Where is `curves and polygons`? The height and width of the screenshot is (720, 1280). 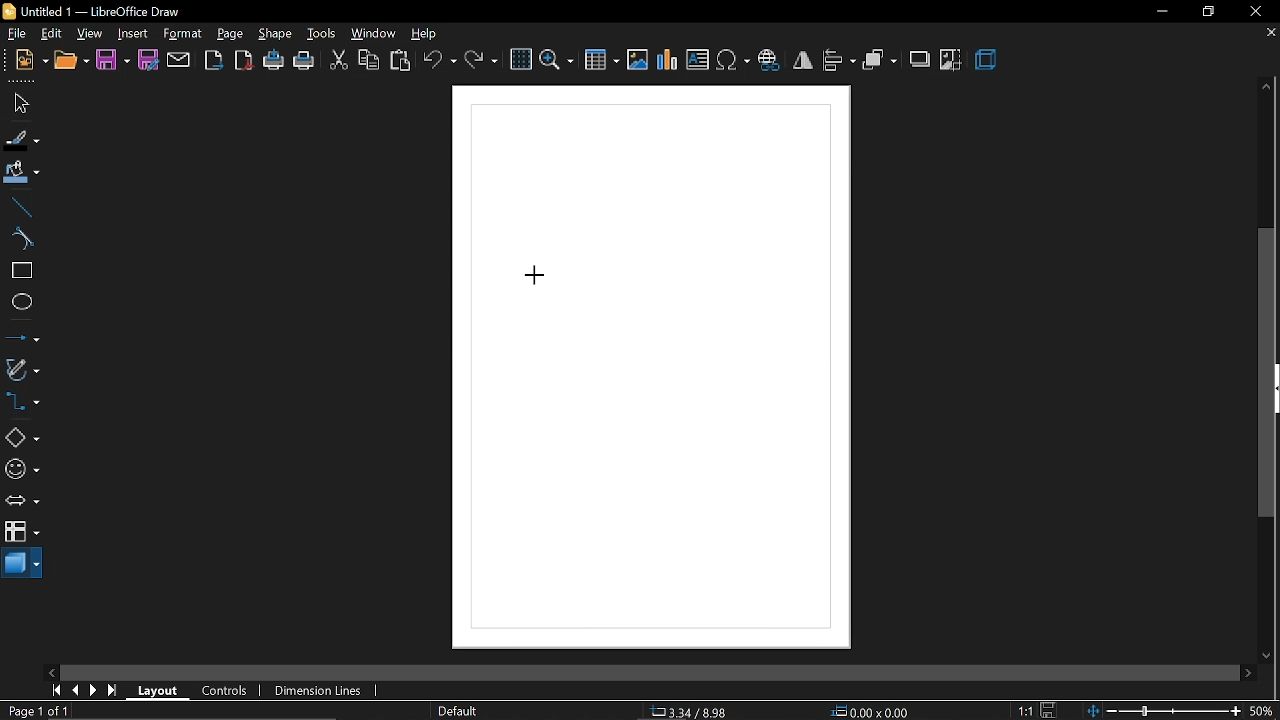 curves and polygons is located at coordinates (22, 371).